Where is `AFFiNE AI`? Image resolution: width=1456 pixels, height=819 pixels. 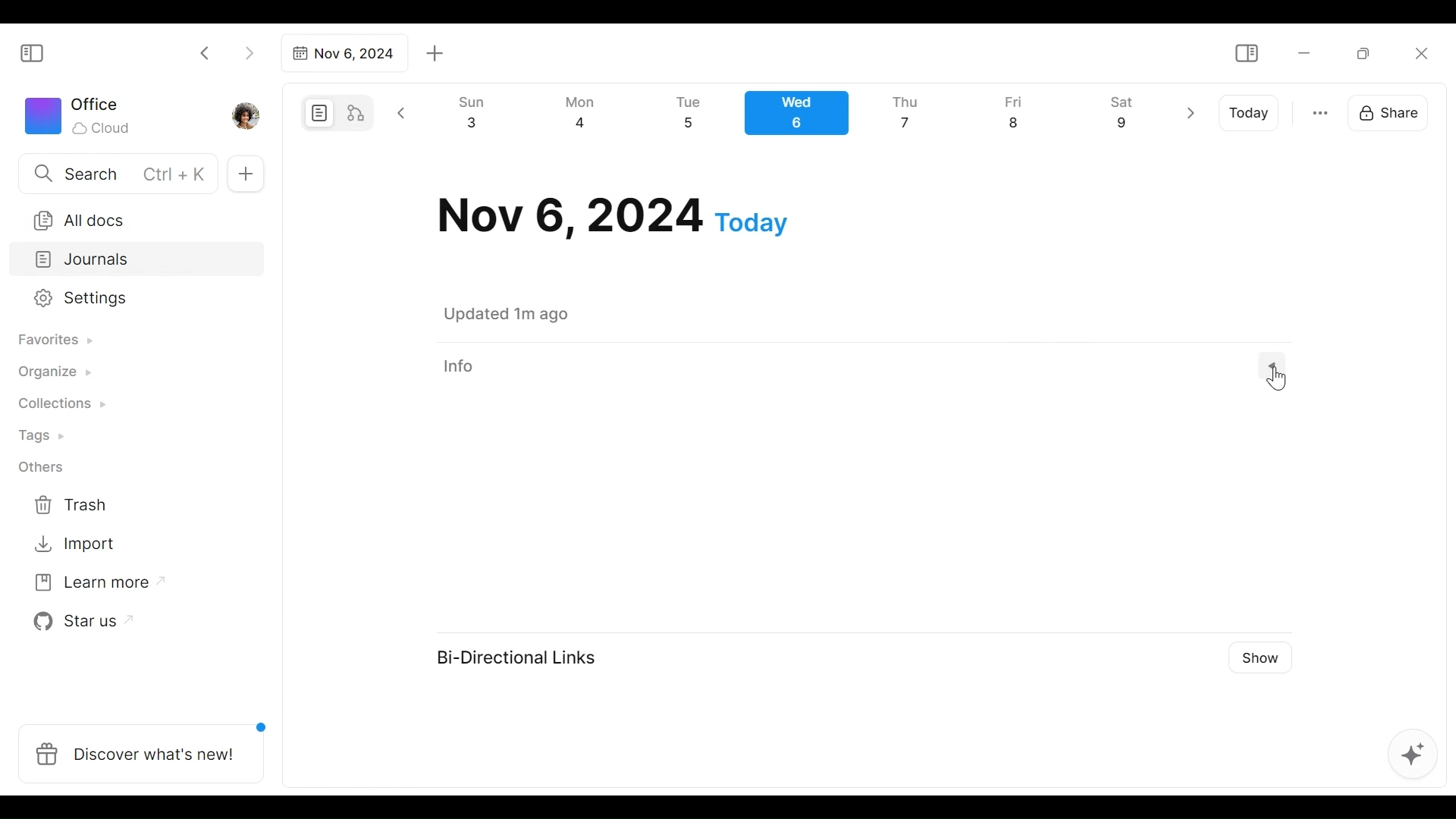 AFFiNE AI is located at coordinates (1413, 756).